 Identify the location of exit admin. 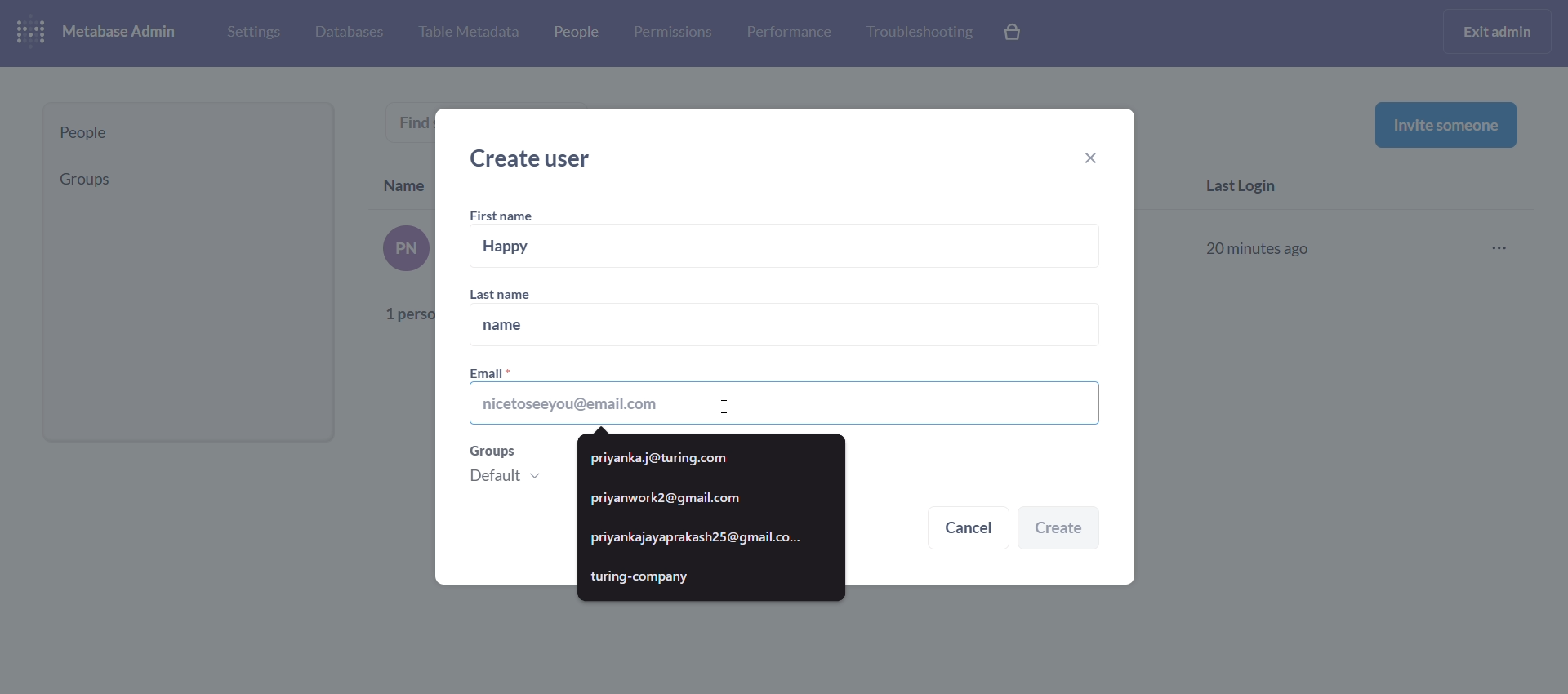
(1500, 31).